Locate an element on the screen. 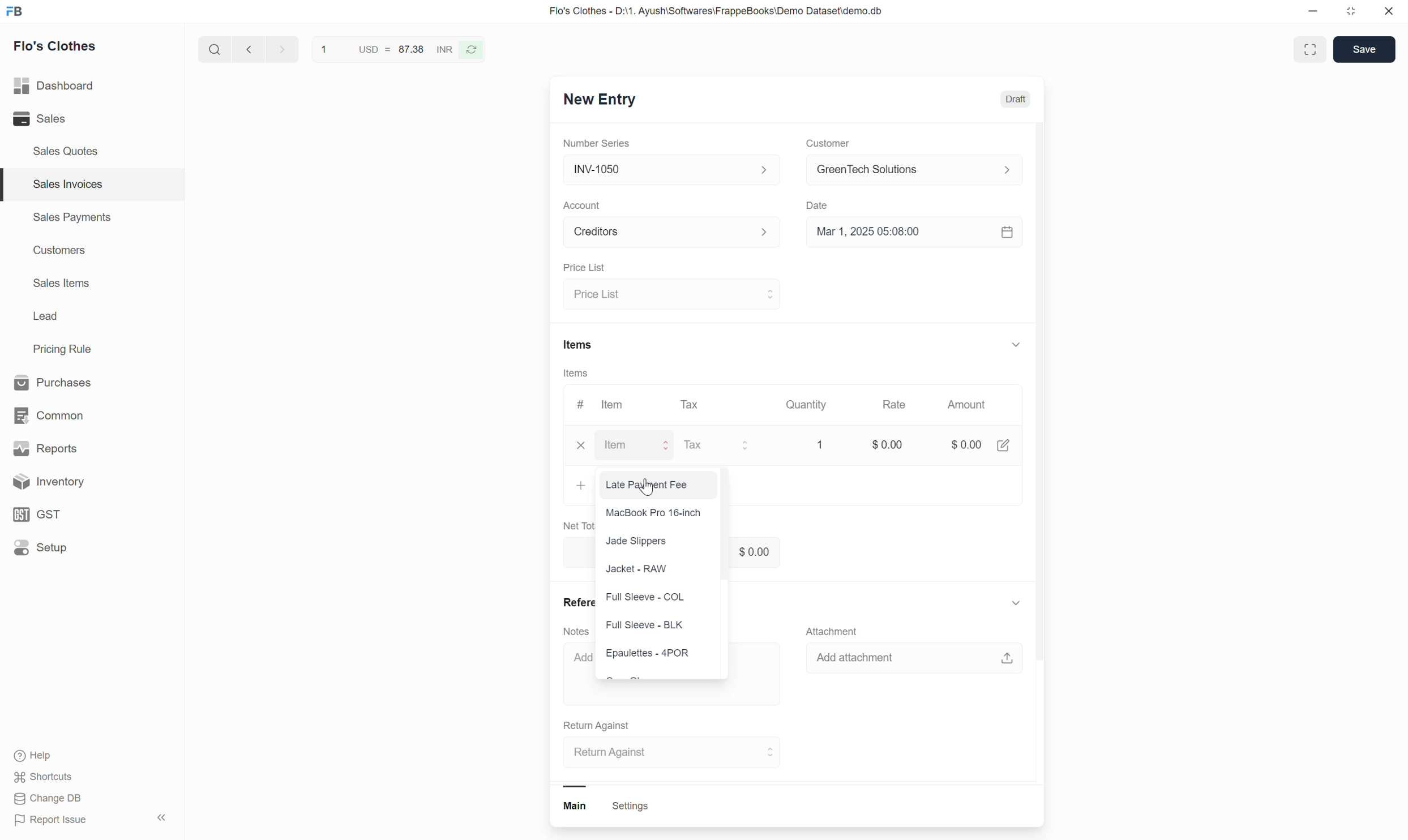  1 is located at coordinates (323, 50).